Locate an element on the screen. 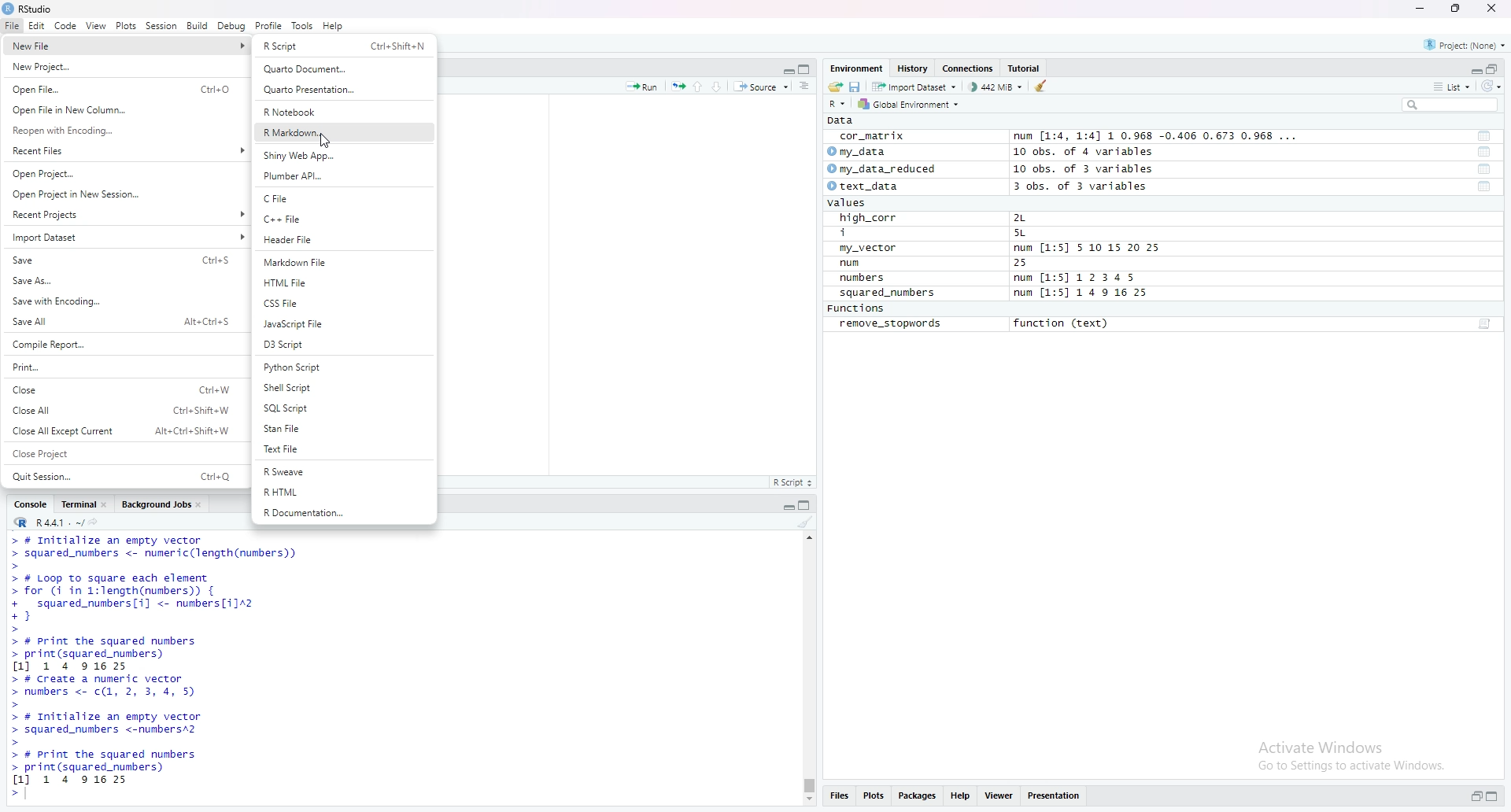 The height and width of the screenshot is (812, 1511). minimize is located at coordinates (1471, 68).